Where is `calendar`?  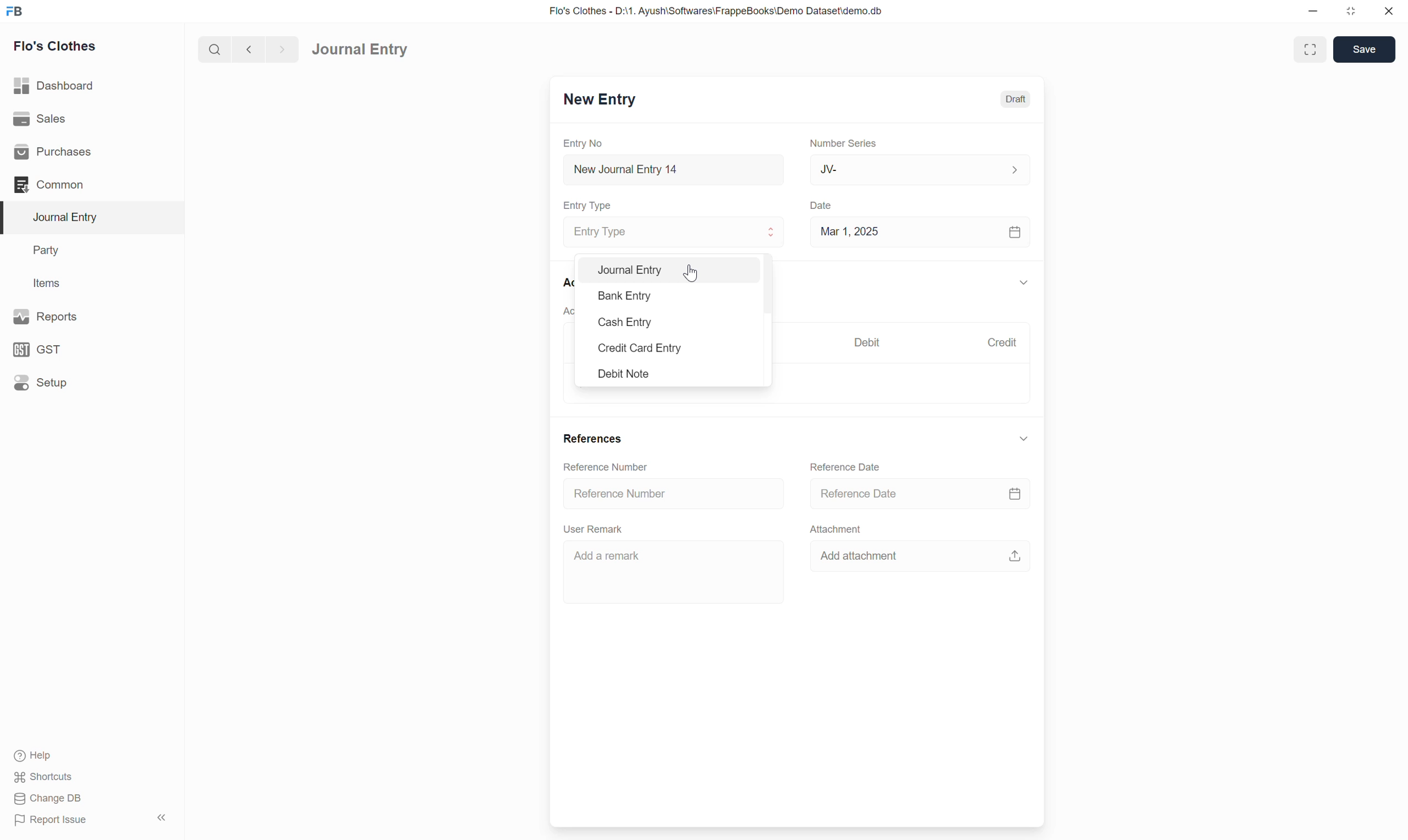
calendar is located at coordinates (1016, 233).